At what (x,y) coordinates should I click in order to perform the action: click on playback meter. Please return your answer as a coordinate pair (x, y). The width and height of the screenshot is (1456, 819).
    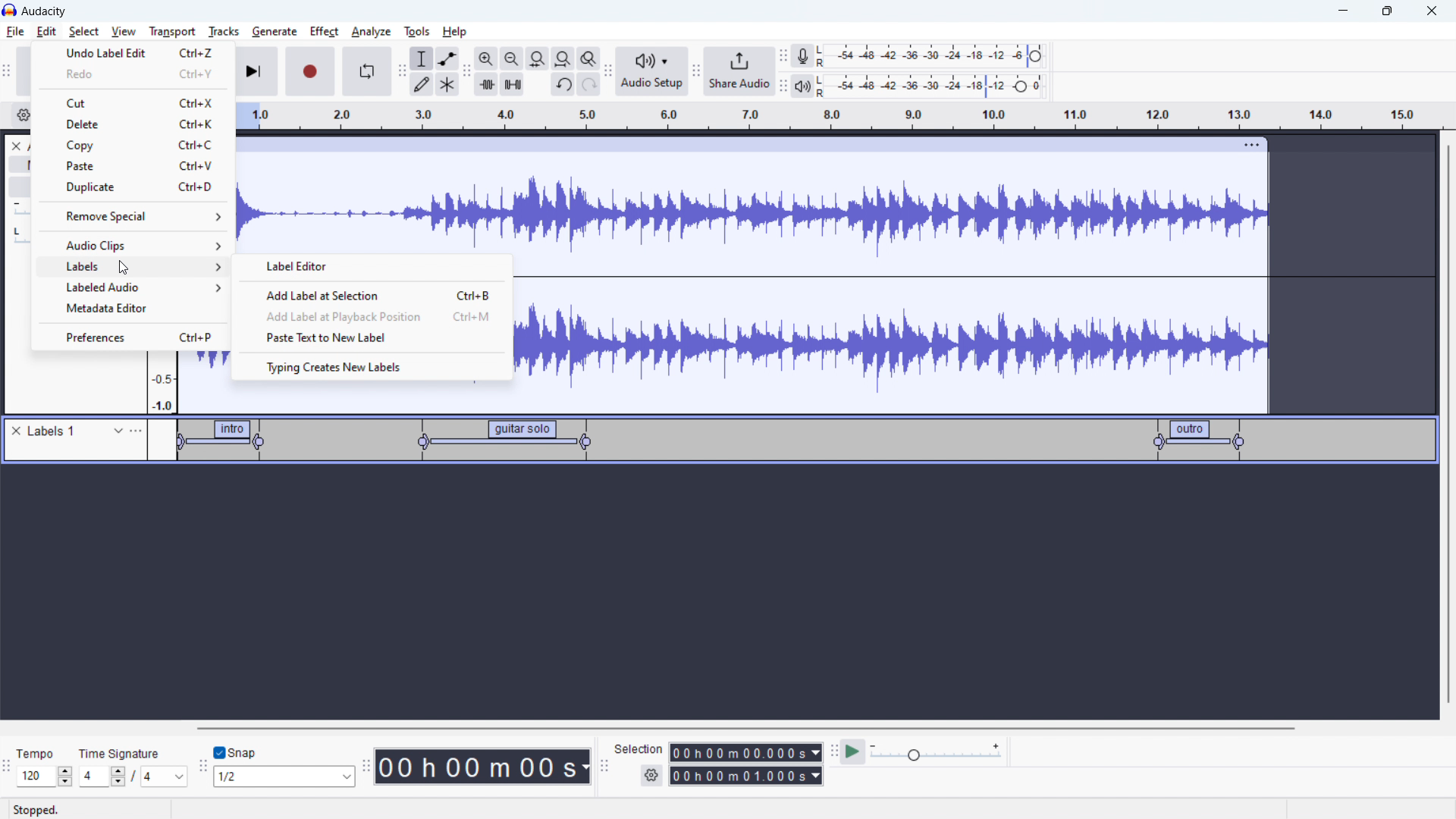
    Looking at the image, I should click on (802, 87).